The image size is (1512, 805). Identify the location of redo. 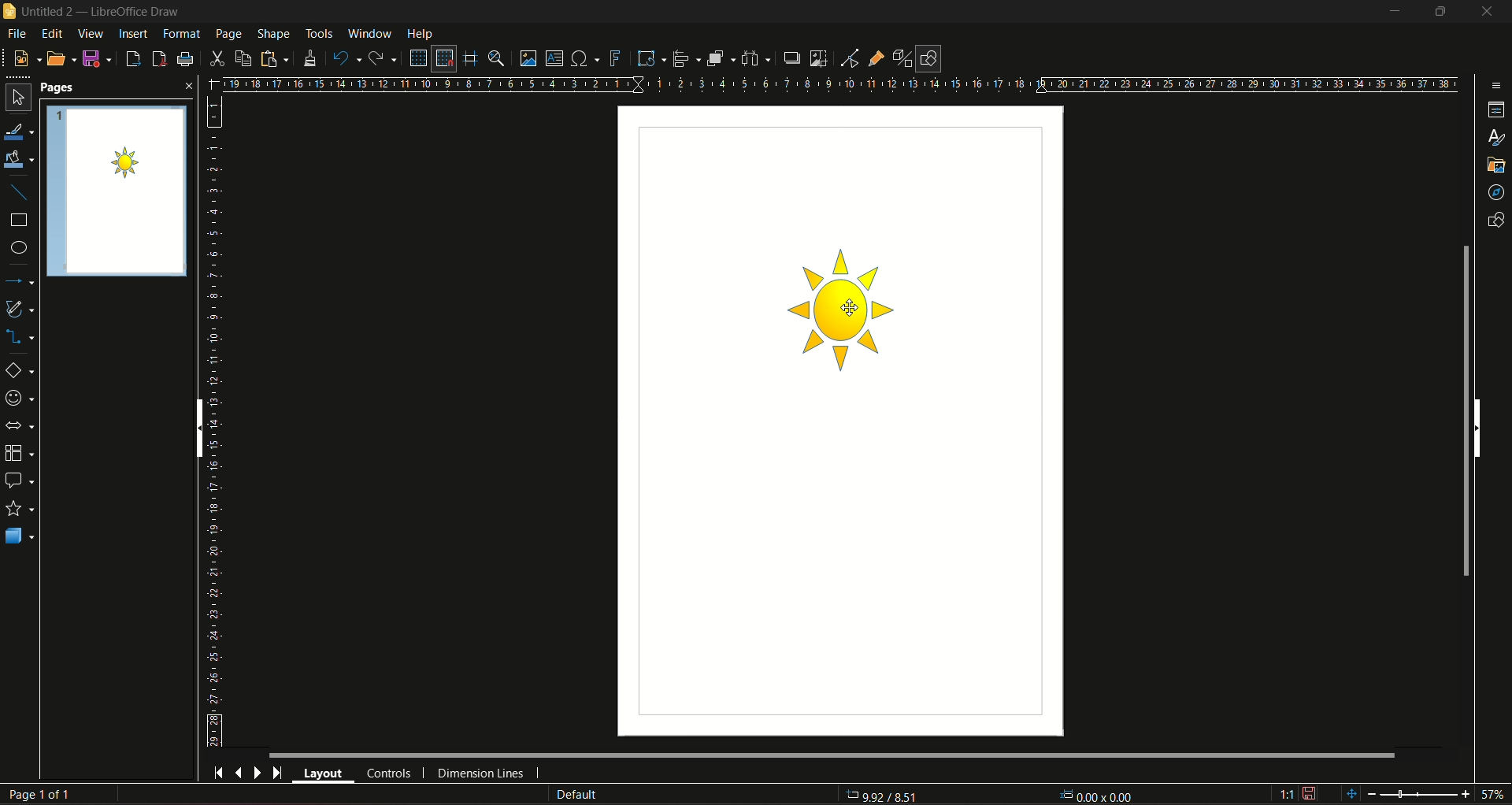
(384, 58).